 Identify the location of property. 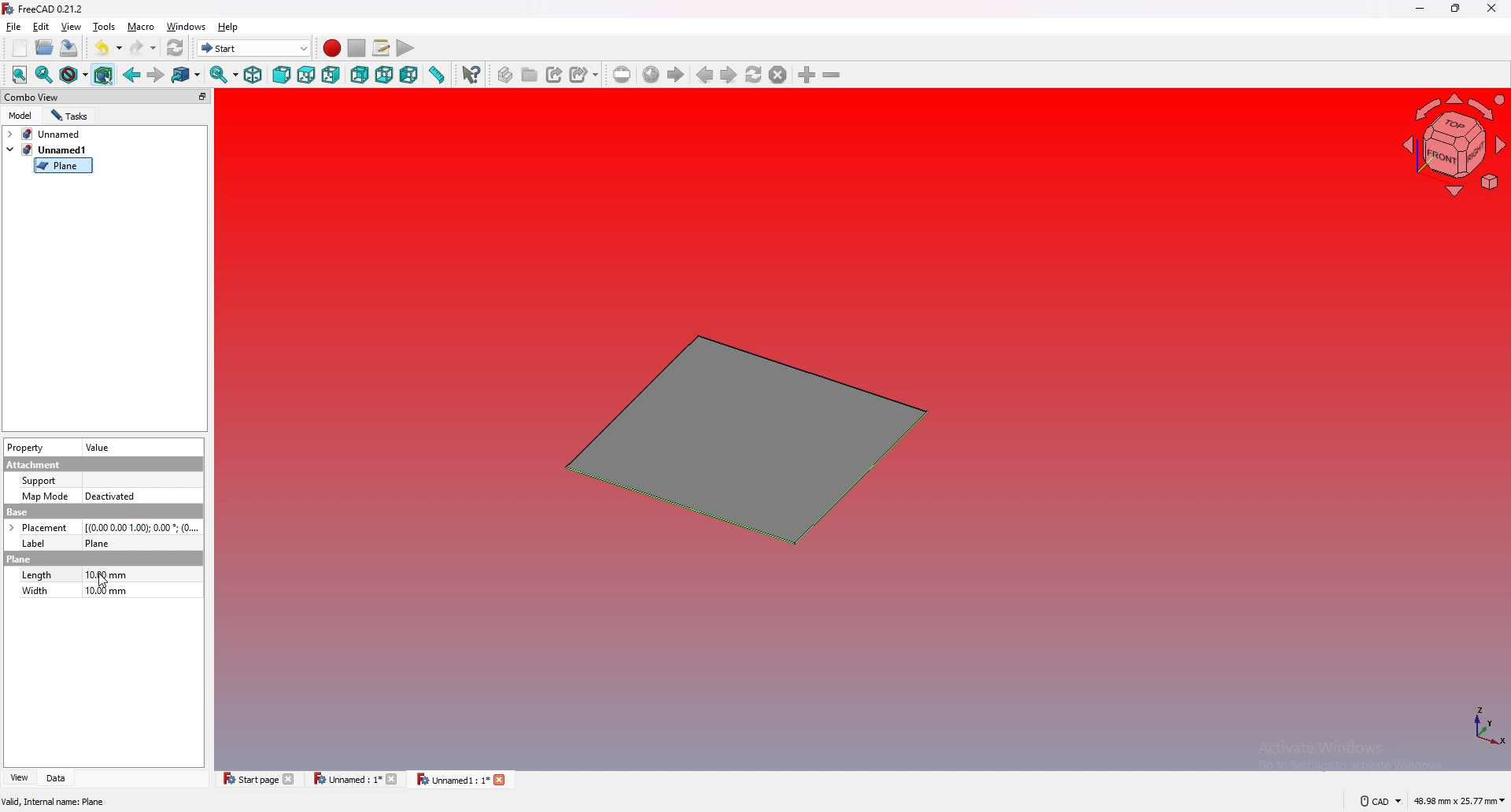
(25, 448).